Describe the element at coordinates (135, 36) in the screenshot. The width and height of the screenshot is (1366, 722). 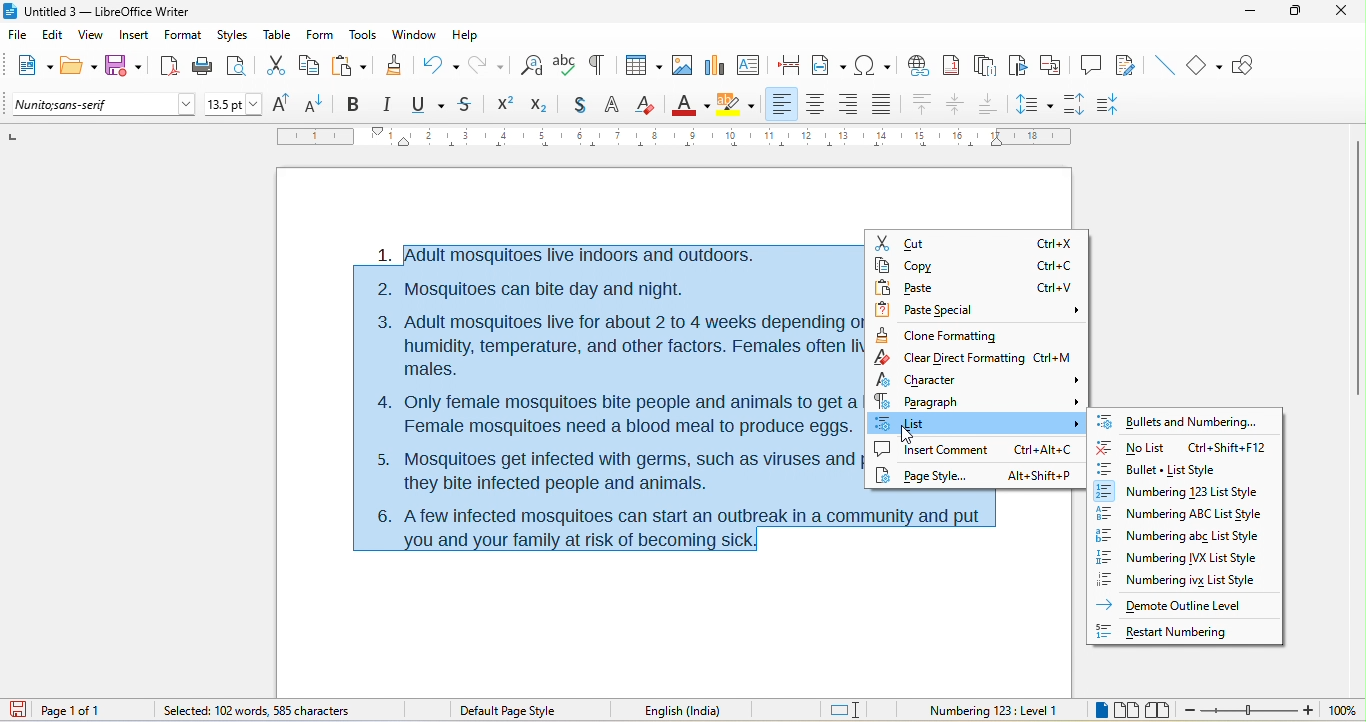
I see `insert` at that location.